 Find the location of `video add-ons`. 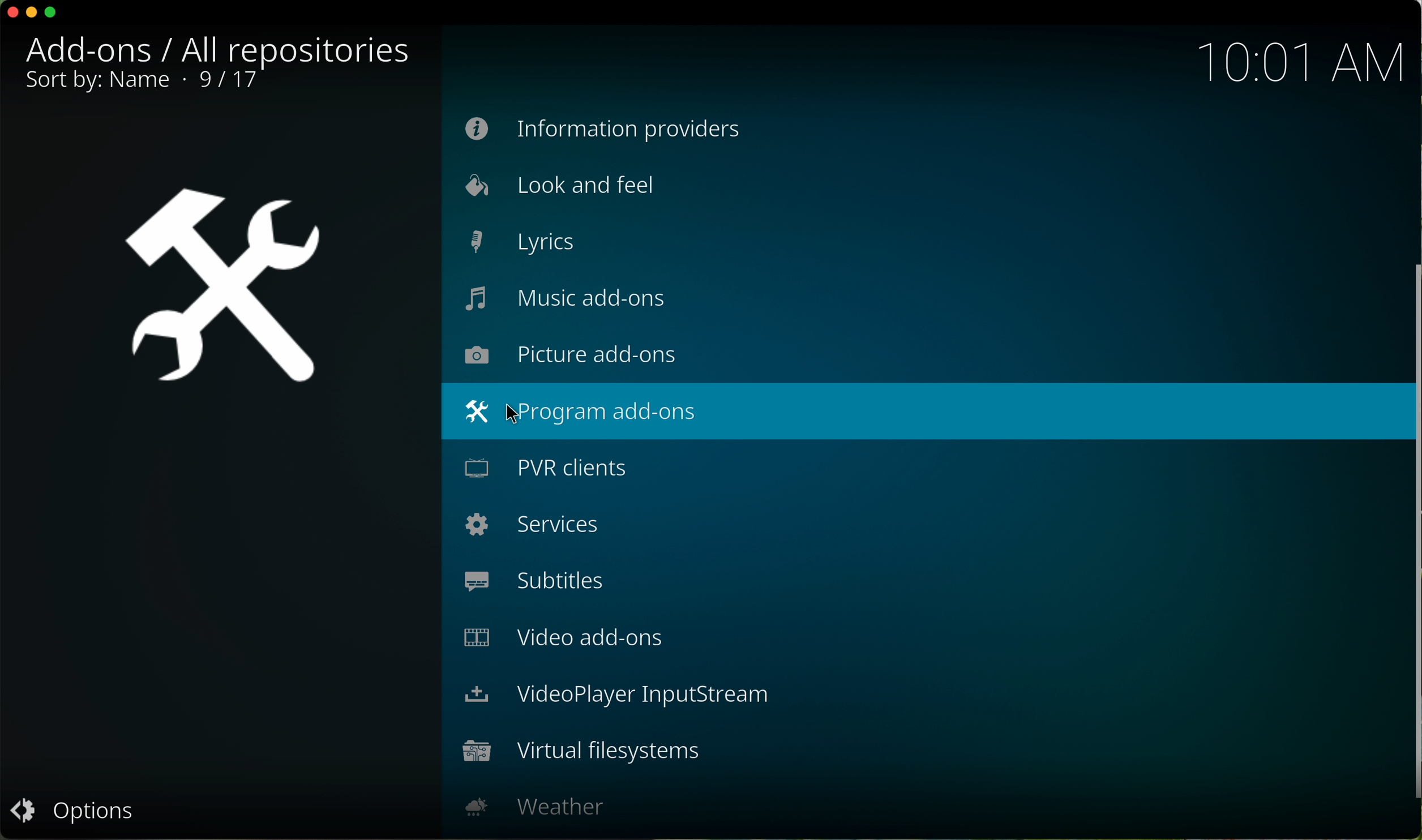

video add-ons is located at coordinates (562, 640).